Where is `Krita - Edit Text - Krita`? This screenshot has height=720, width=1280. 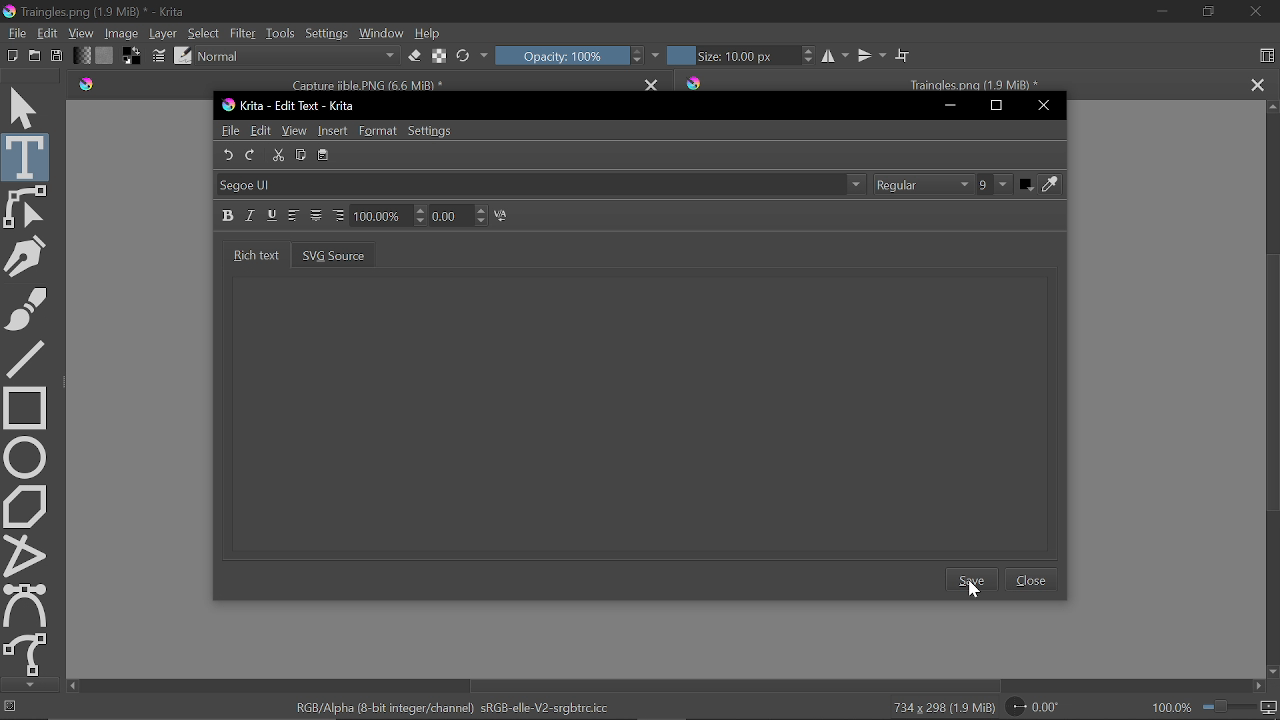 Krita - Edit Text - Krita is located at coordinates (291, 106).